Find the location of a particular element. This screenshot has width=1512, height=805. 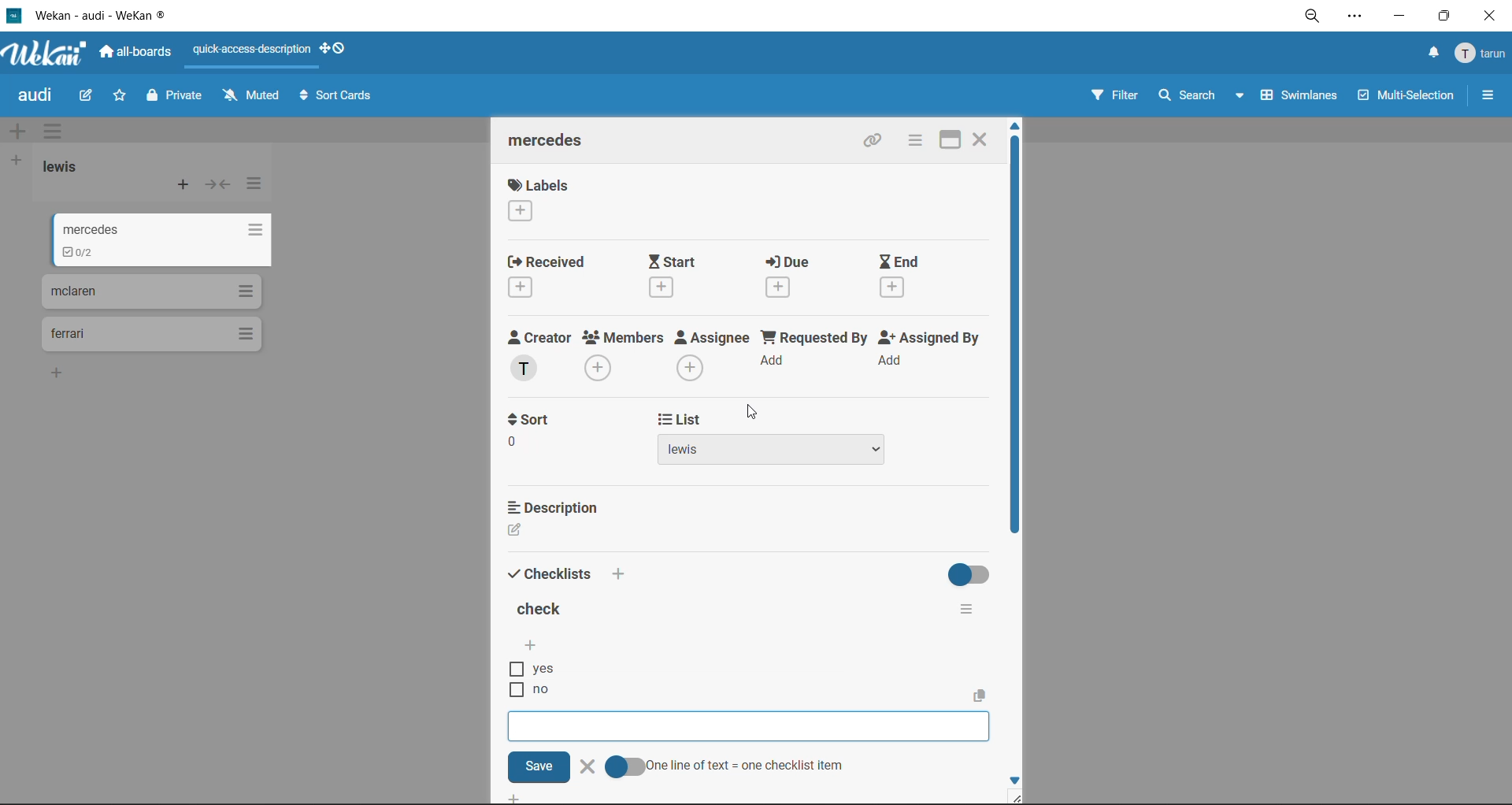

quick access description is located at coordinates (256, 50).